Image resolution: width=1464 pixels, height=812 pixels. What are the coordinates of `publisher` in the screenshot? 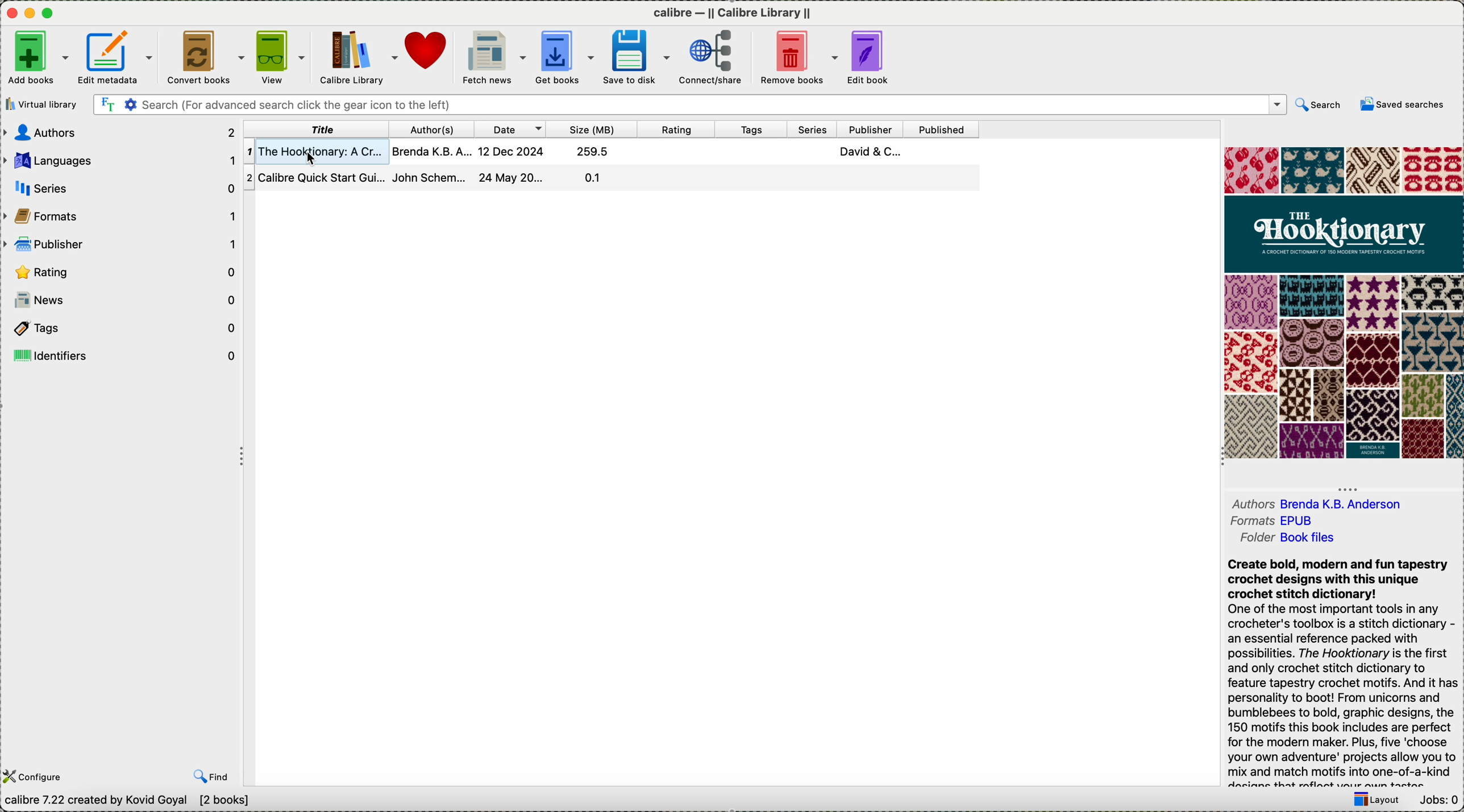 It's located at (869, 128).